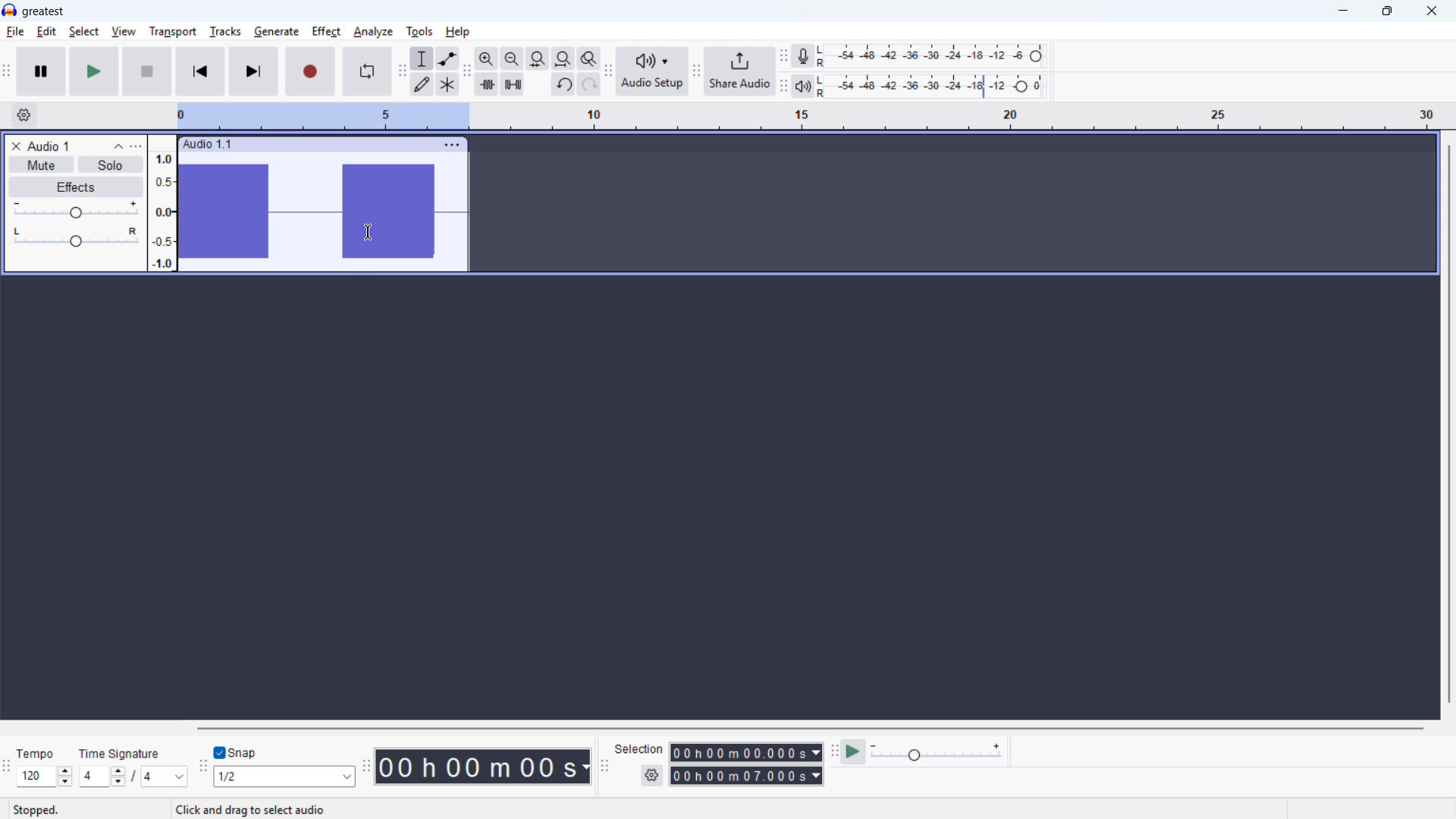 The image size is (1456, 819). What do you see at coordinates (162, 202) in the screenshot?
I see `Amplitude ` at bounding box center [162, 202].